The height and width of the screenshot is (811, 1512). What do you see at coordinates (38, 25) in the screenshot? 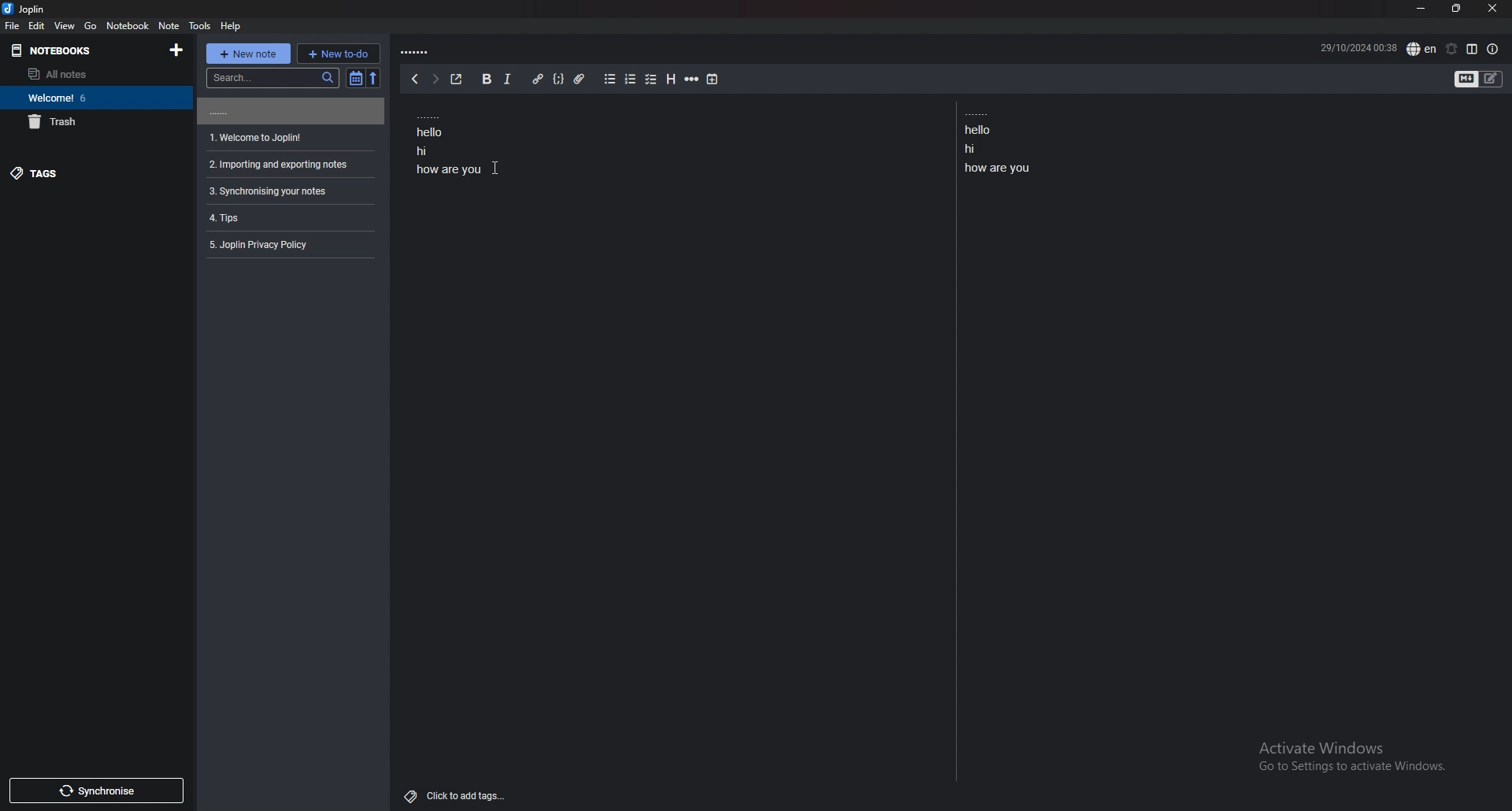
I see `edit` at bounding box center [38, 25].